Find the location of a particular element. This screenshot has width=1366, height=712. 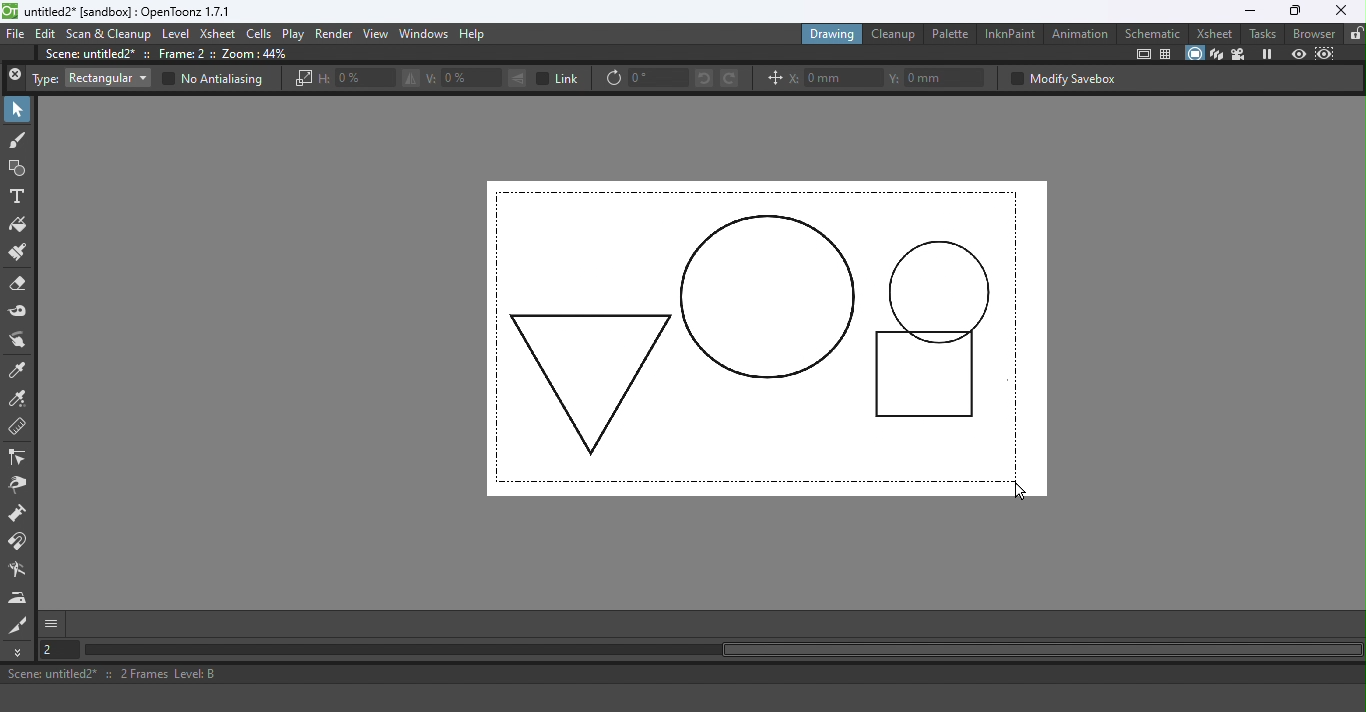

More tools is located at coordinates (20, 652).